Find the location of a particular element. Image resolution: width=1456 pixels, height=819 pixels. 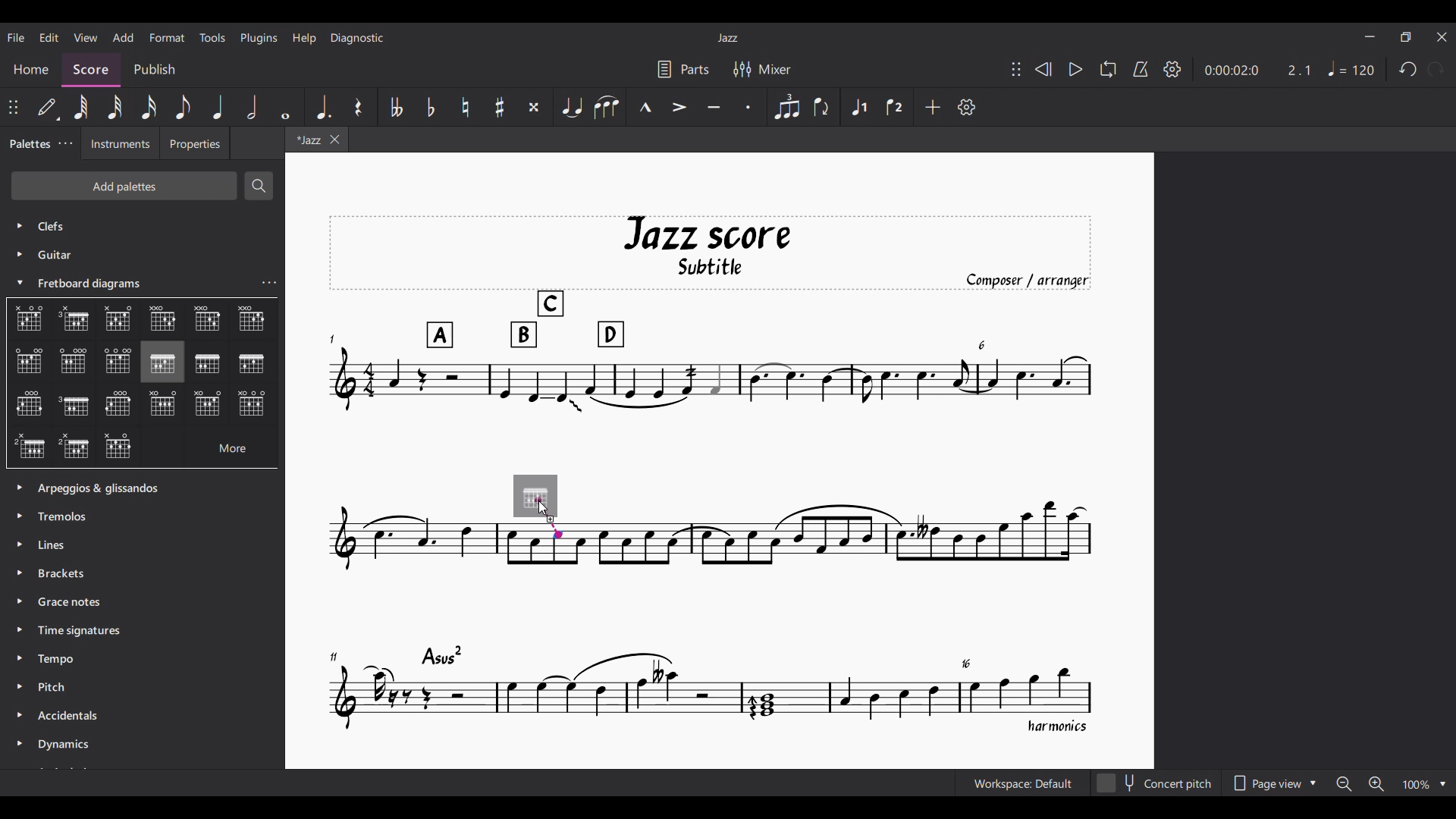

Chart 12 is located at coordinates (28, 405).